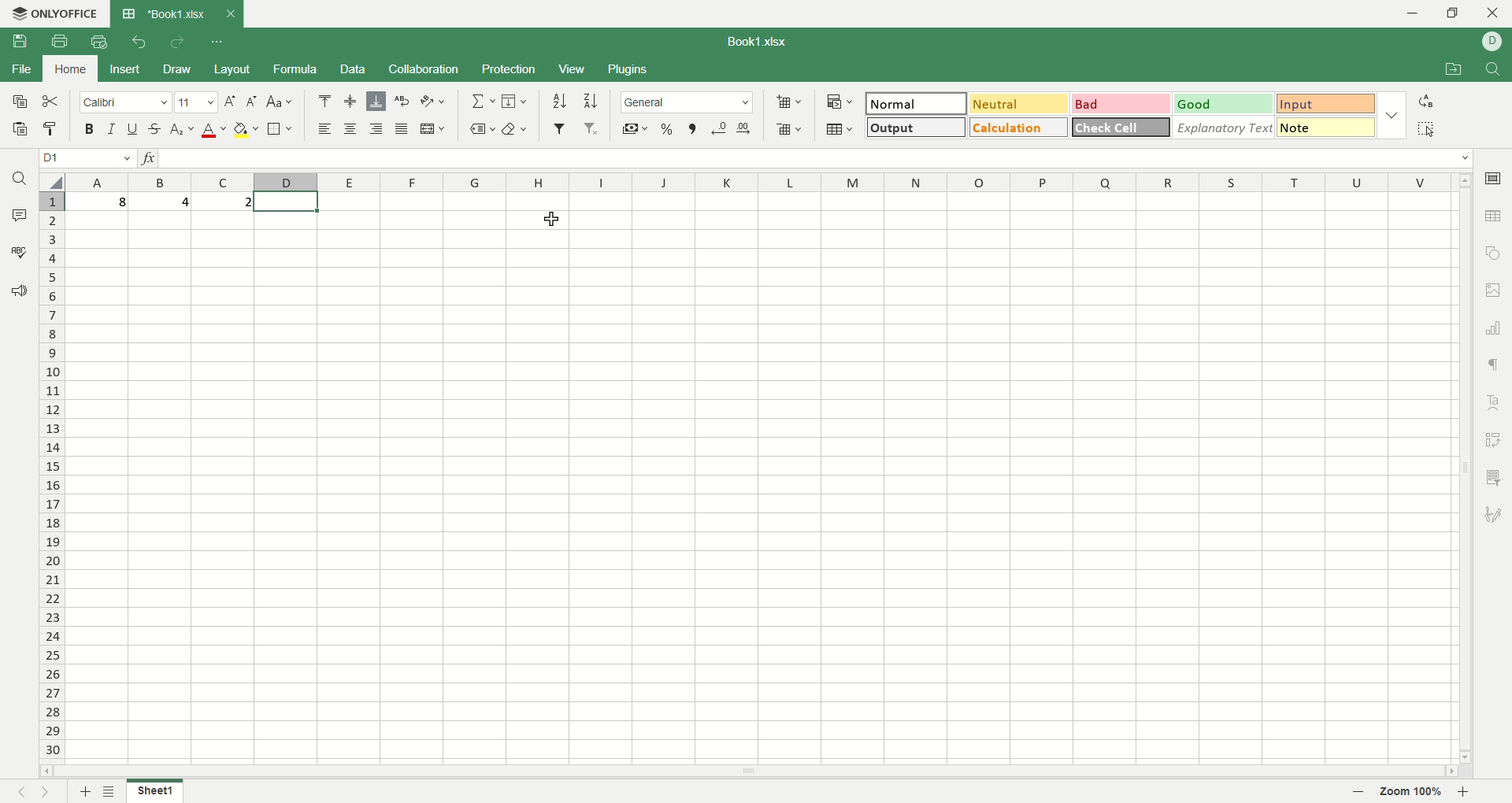 The height and width of the screenshot is (803, 1512). I want to click on next, so click(44, 790).